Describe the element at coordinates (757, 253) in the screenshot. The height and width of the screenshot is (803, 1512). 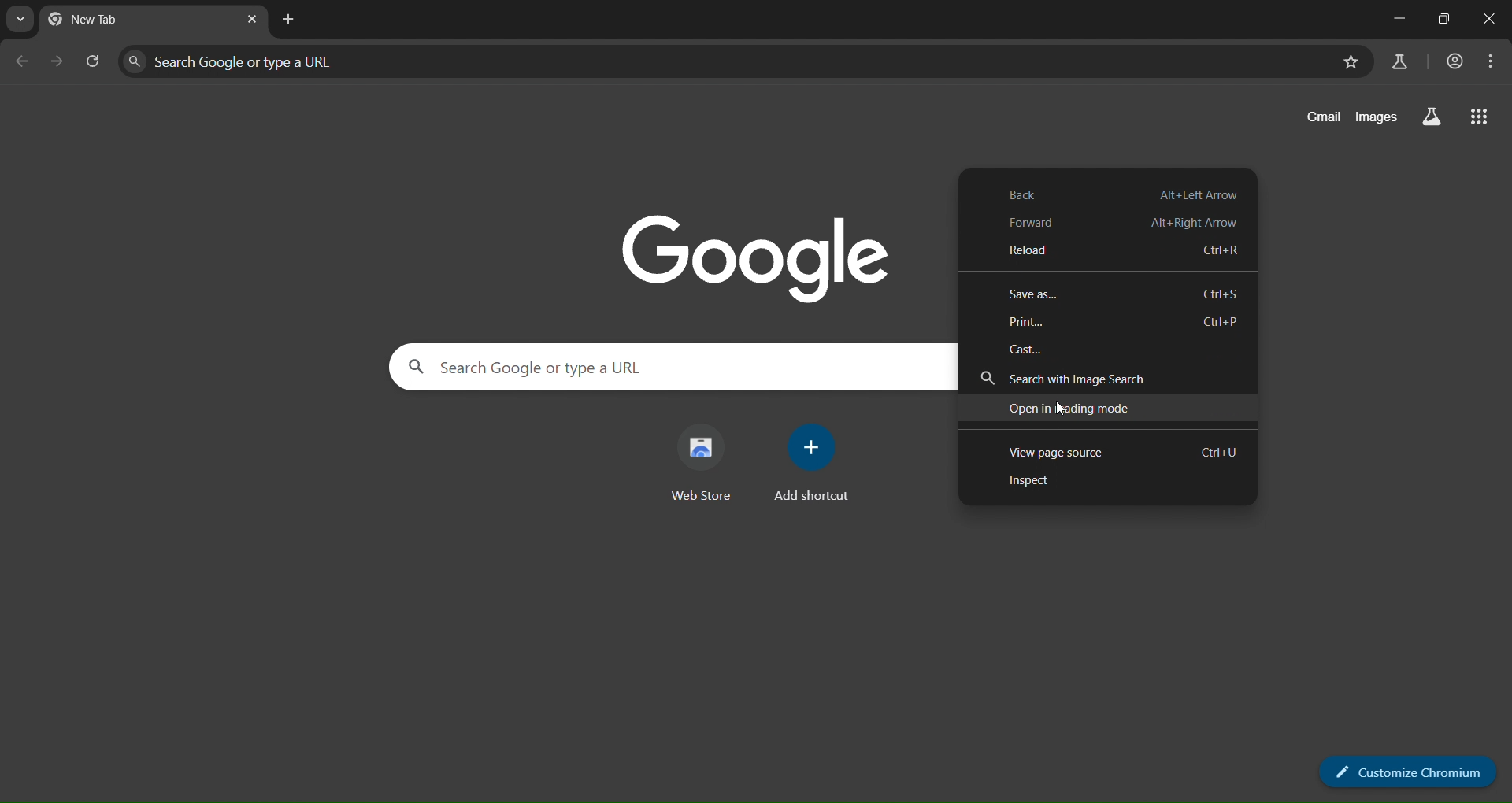
I see `Google` at that location.